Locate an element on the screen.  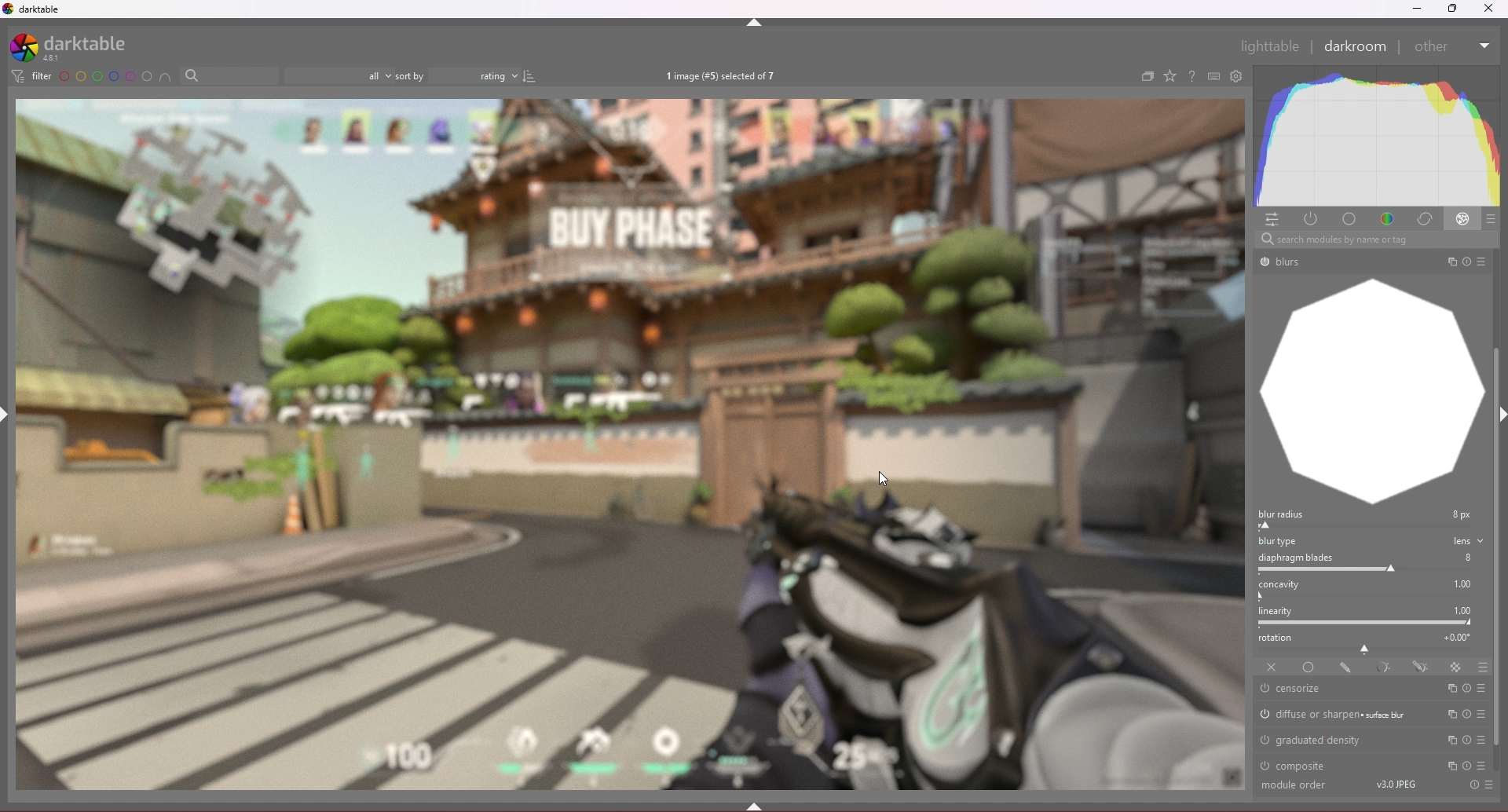
change type of overlays is located at coordinates (1171, 75).